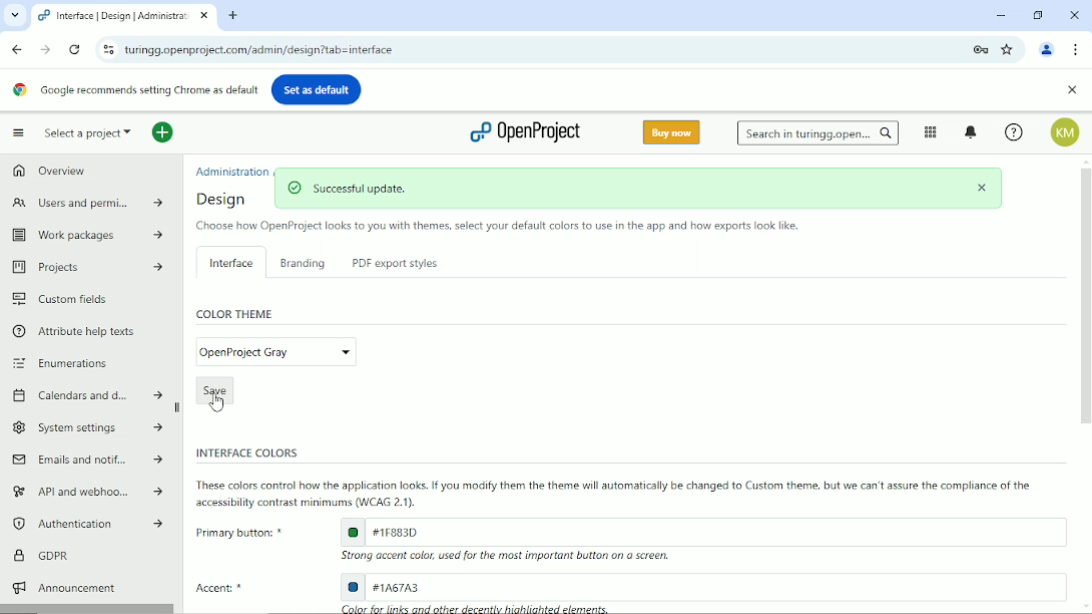 Image resolution: width=1092 pixels, height=614 pixels. What do you see at coordinates (307, 503) in the screenshot?
I see `ll accessibility contrast minimums (WCAG 2.1).` at bounding box center [307, 503].